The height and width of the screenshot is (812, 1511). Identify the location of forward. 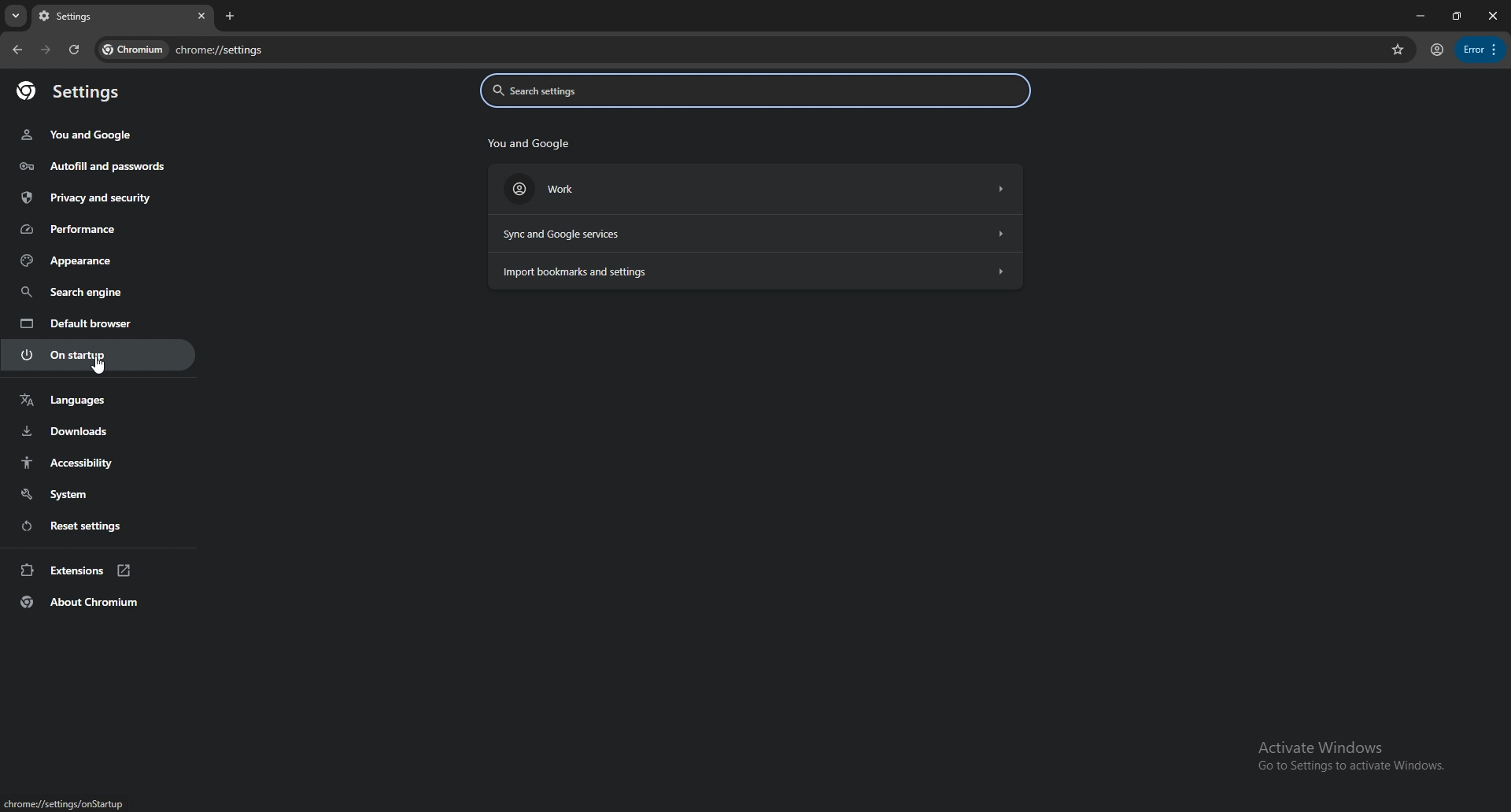
(46, 50).